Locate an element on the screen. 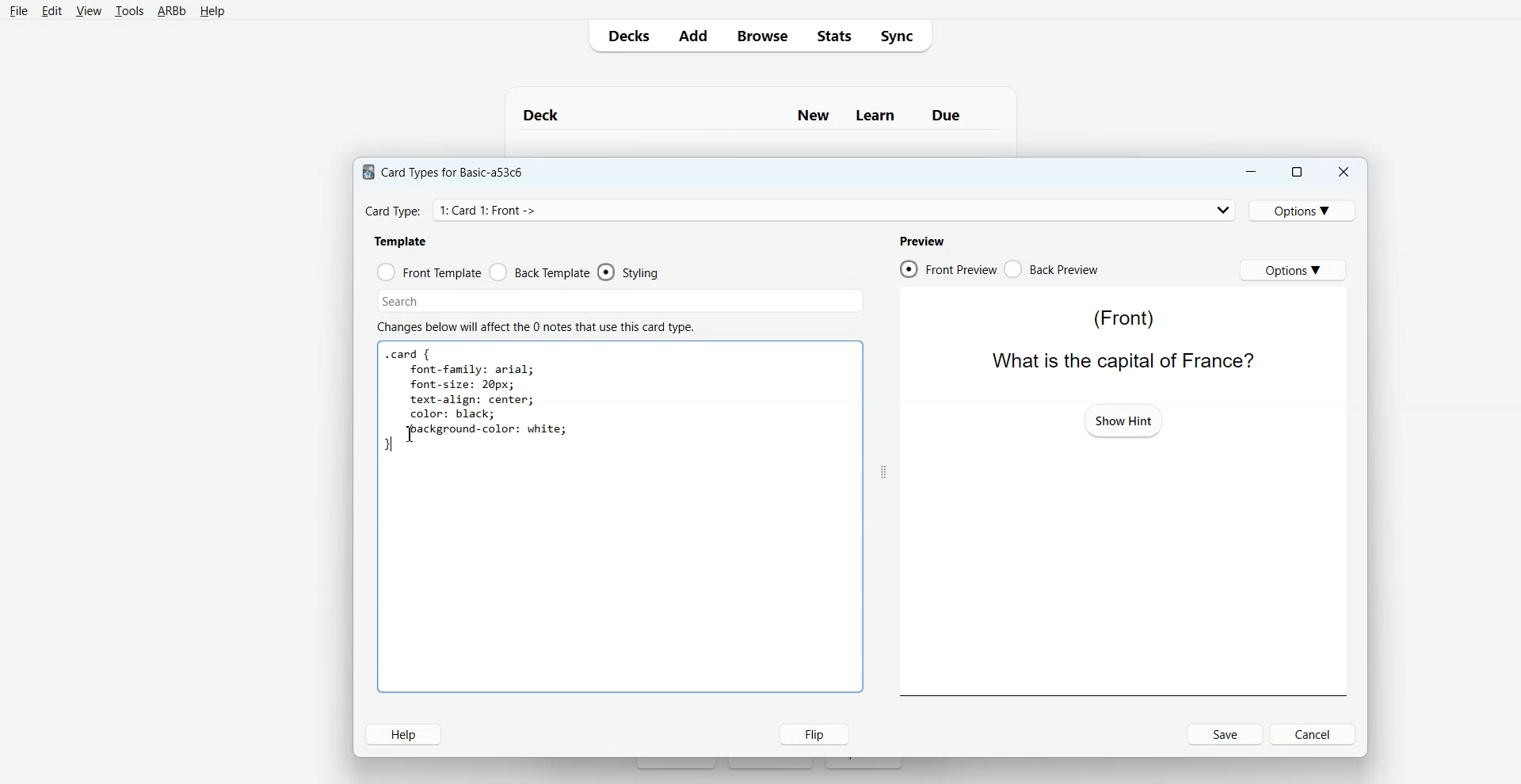 The width and height of the screenshot is (1521, 784). Text Cursor is located at coordinates (414, 434).